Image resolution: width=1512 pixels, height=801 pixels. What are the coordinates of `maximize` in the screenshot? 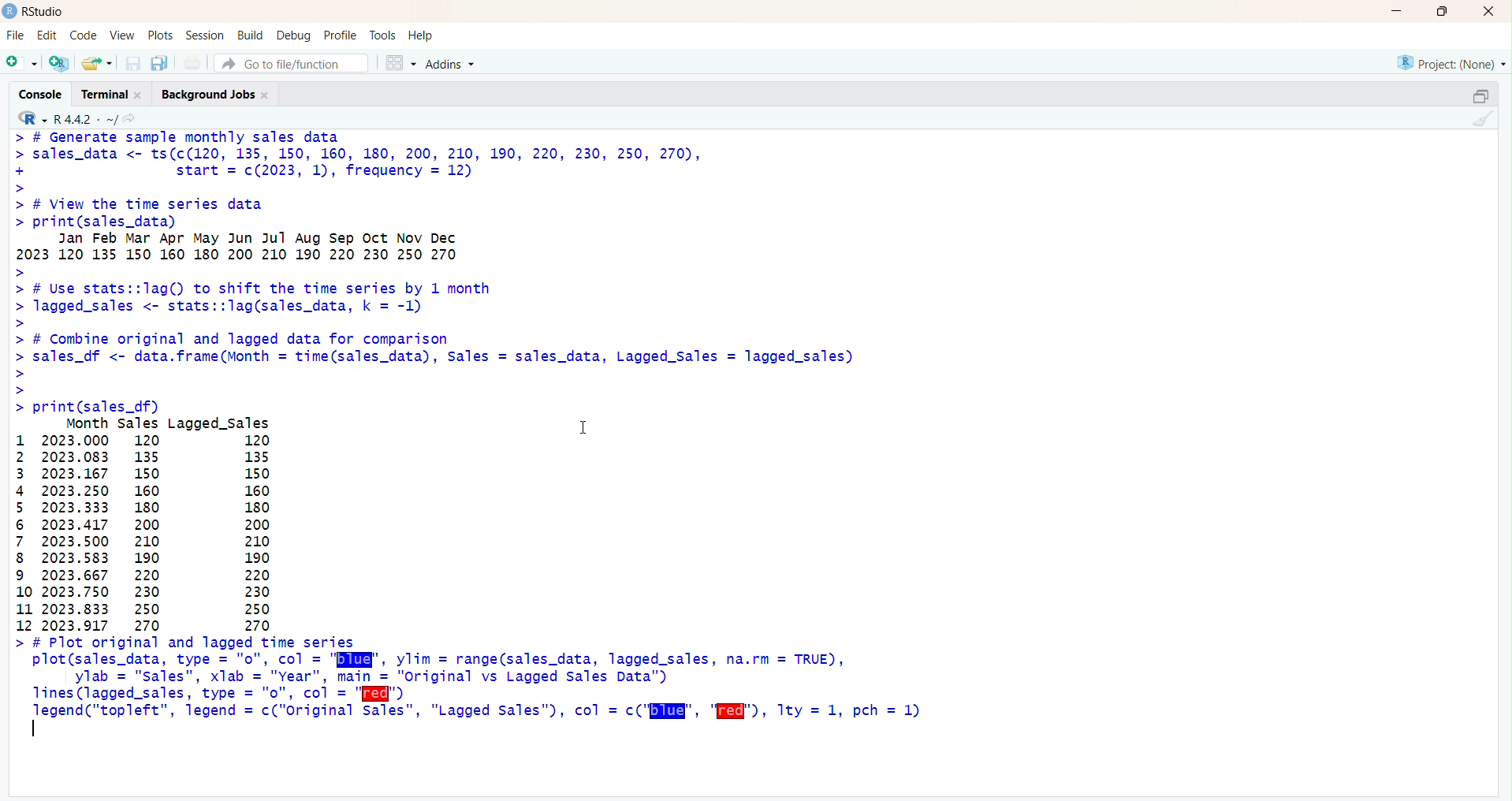 It's located at (1441, 11).